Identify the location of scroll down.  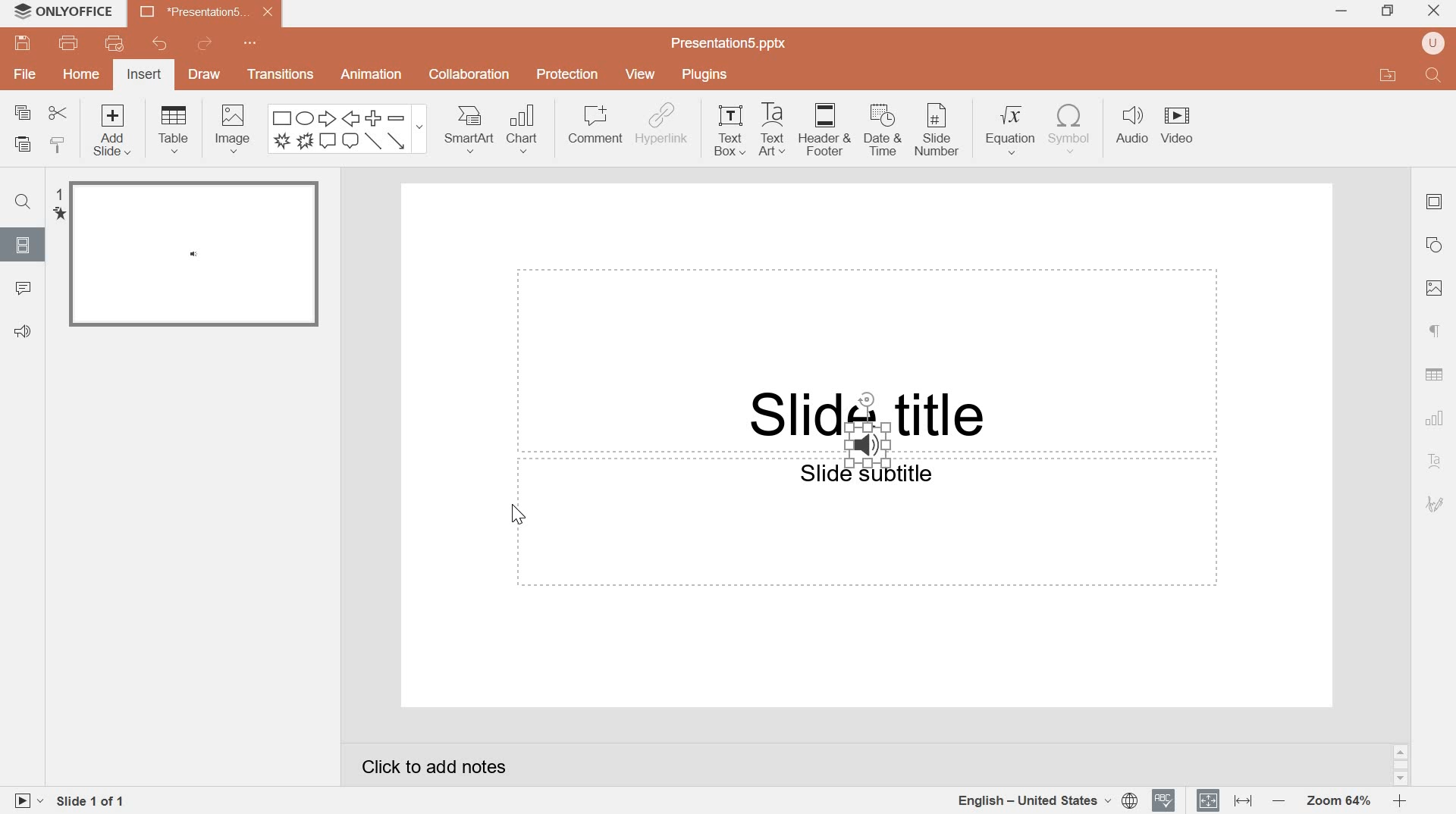
(1401, 780).